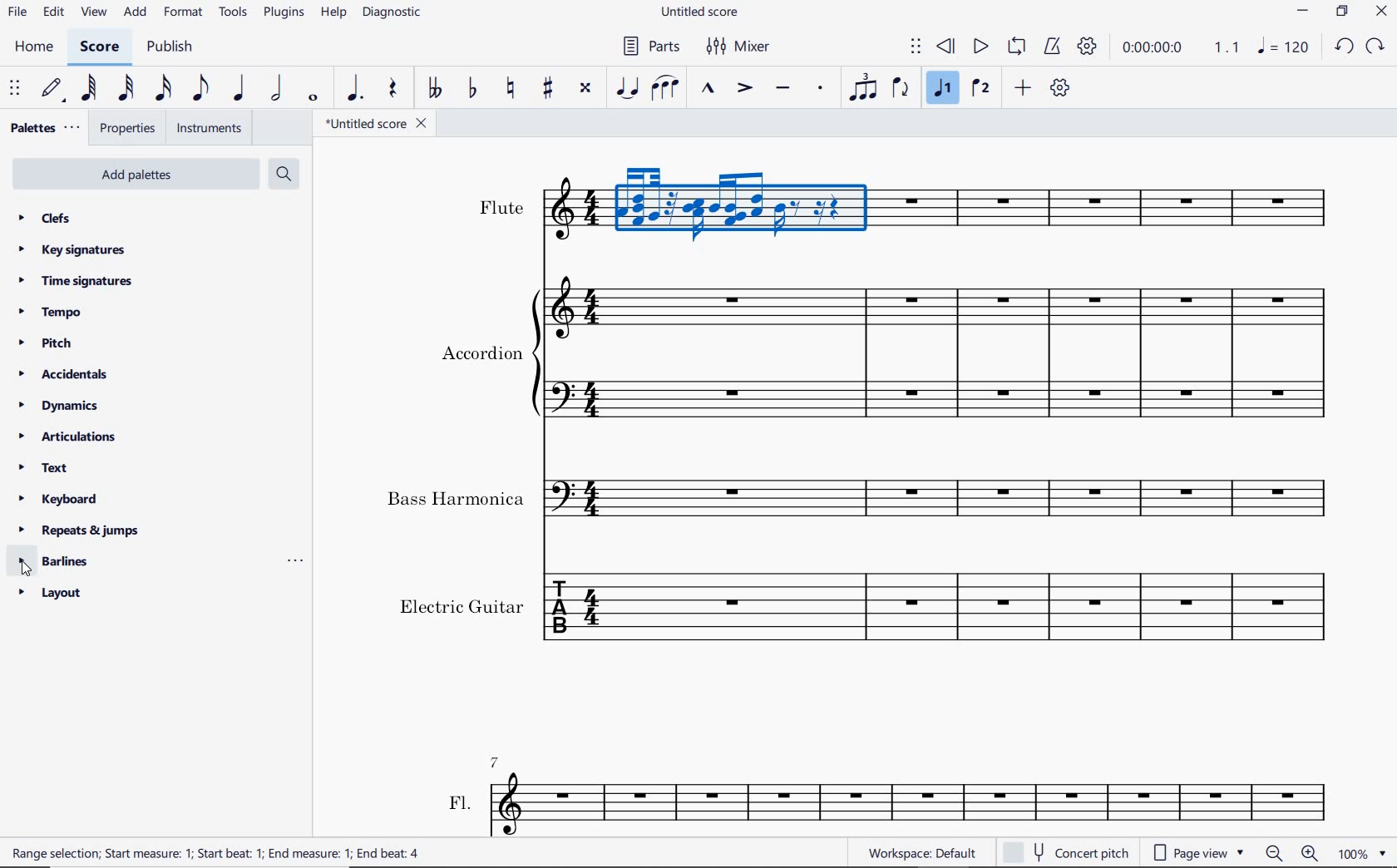 The width and height of the screenshot is (1397, 868). What do you see at coordinates (980, 90) in the screenshot?
I see `voice 2` at bounding box center [980, 90].